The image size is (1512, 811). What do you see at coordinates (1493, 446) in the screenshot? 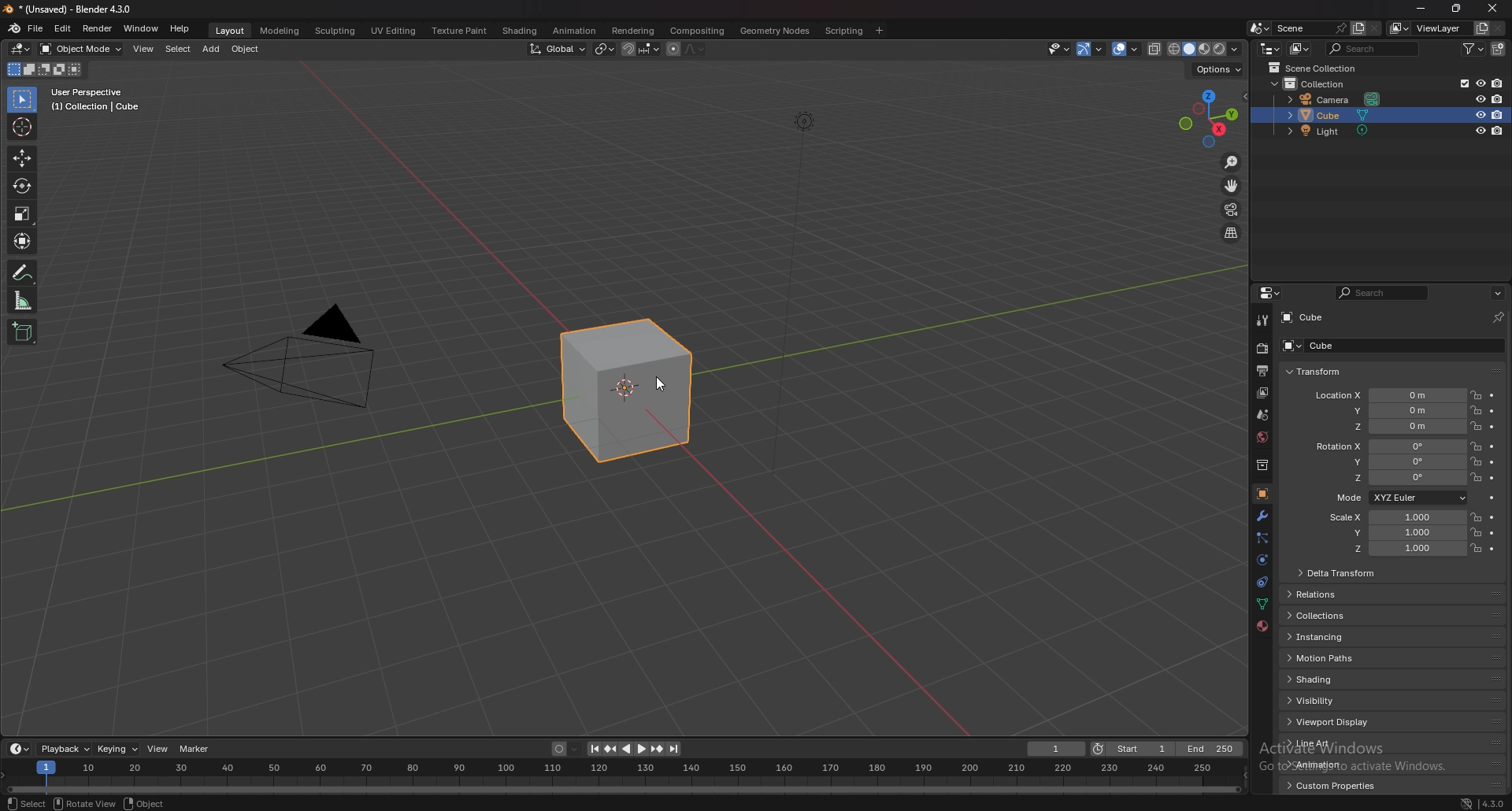
I see `animate property` at bounding box center [1493, 446].